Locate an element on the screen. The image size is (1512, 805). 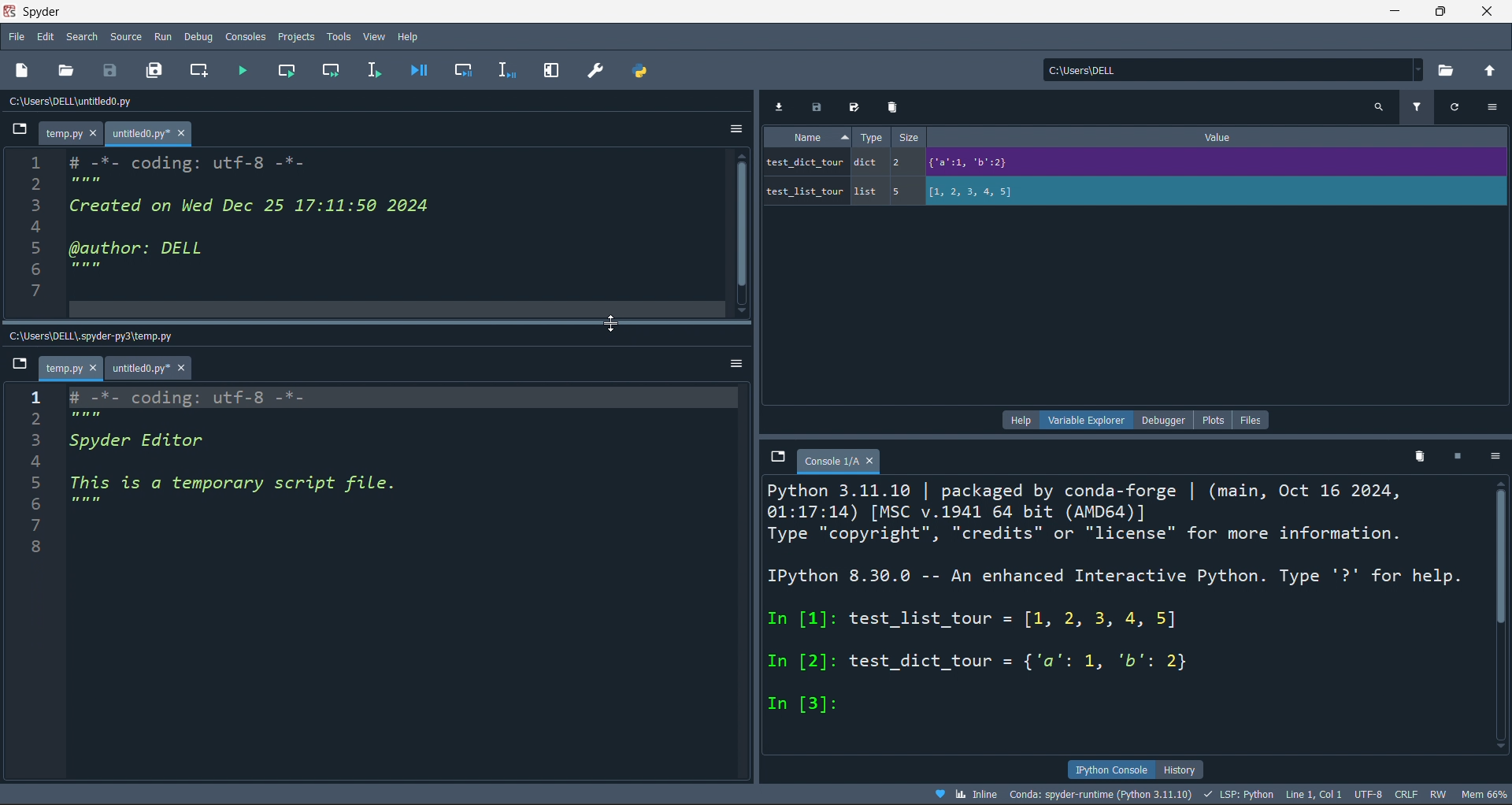
tab is located at coordinates (841, 460).